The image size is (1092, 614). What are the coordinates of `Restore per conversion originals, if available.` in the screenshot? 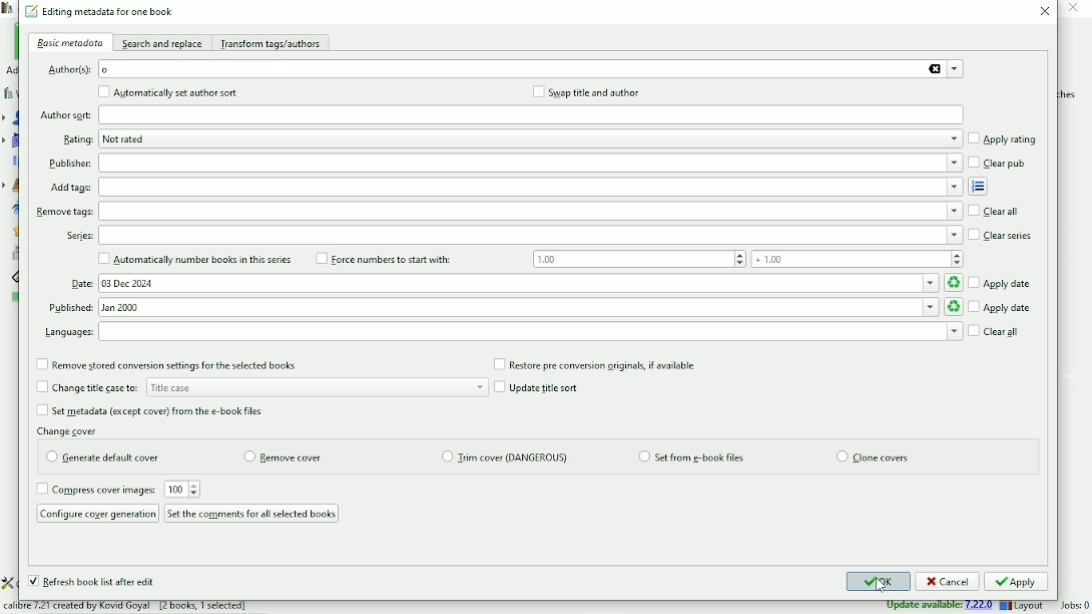 It's located at (598, 364).